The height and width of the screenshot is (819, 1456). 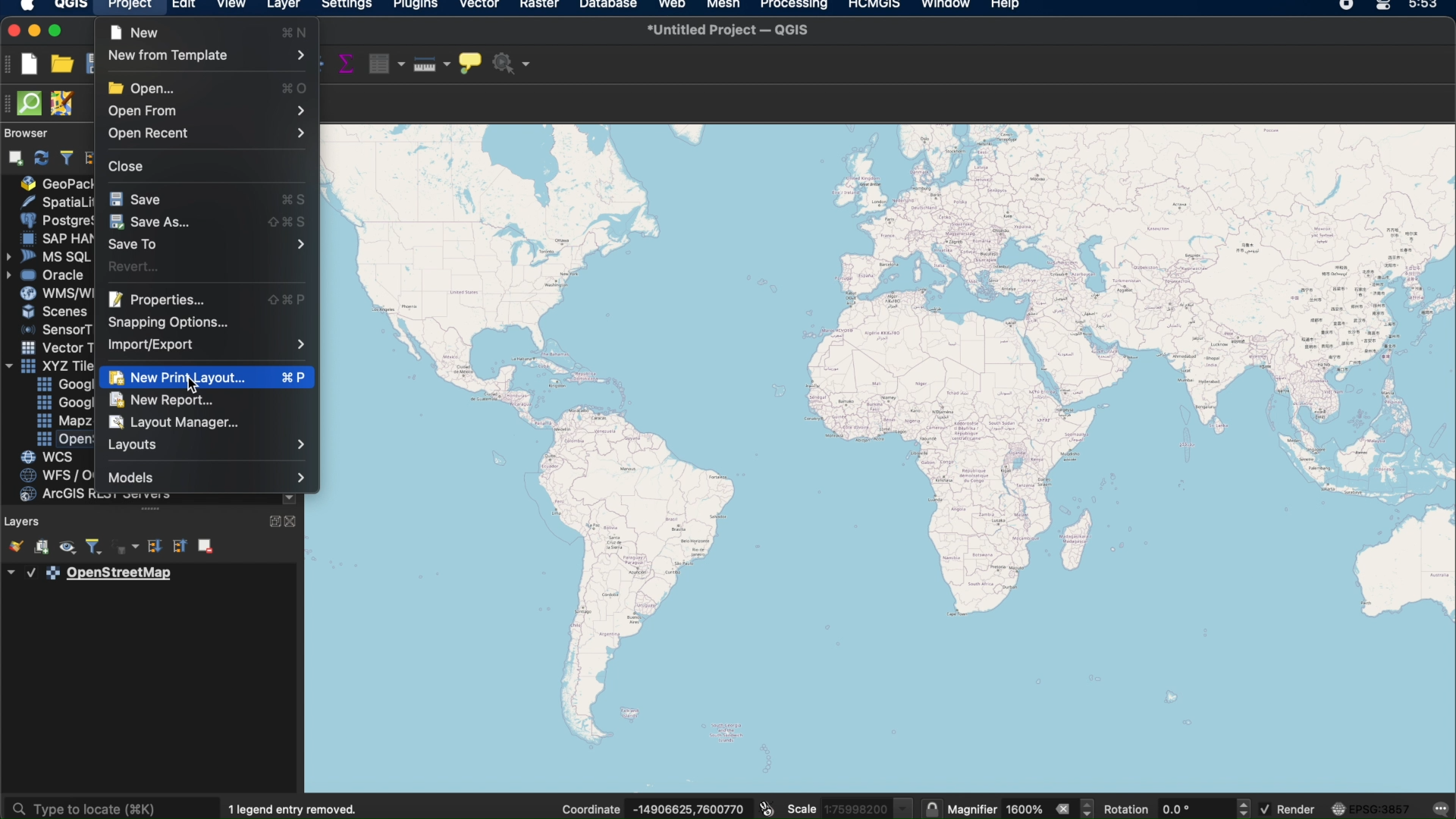 I want to click on edit, so click(x=184, y=6).